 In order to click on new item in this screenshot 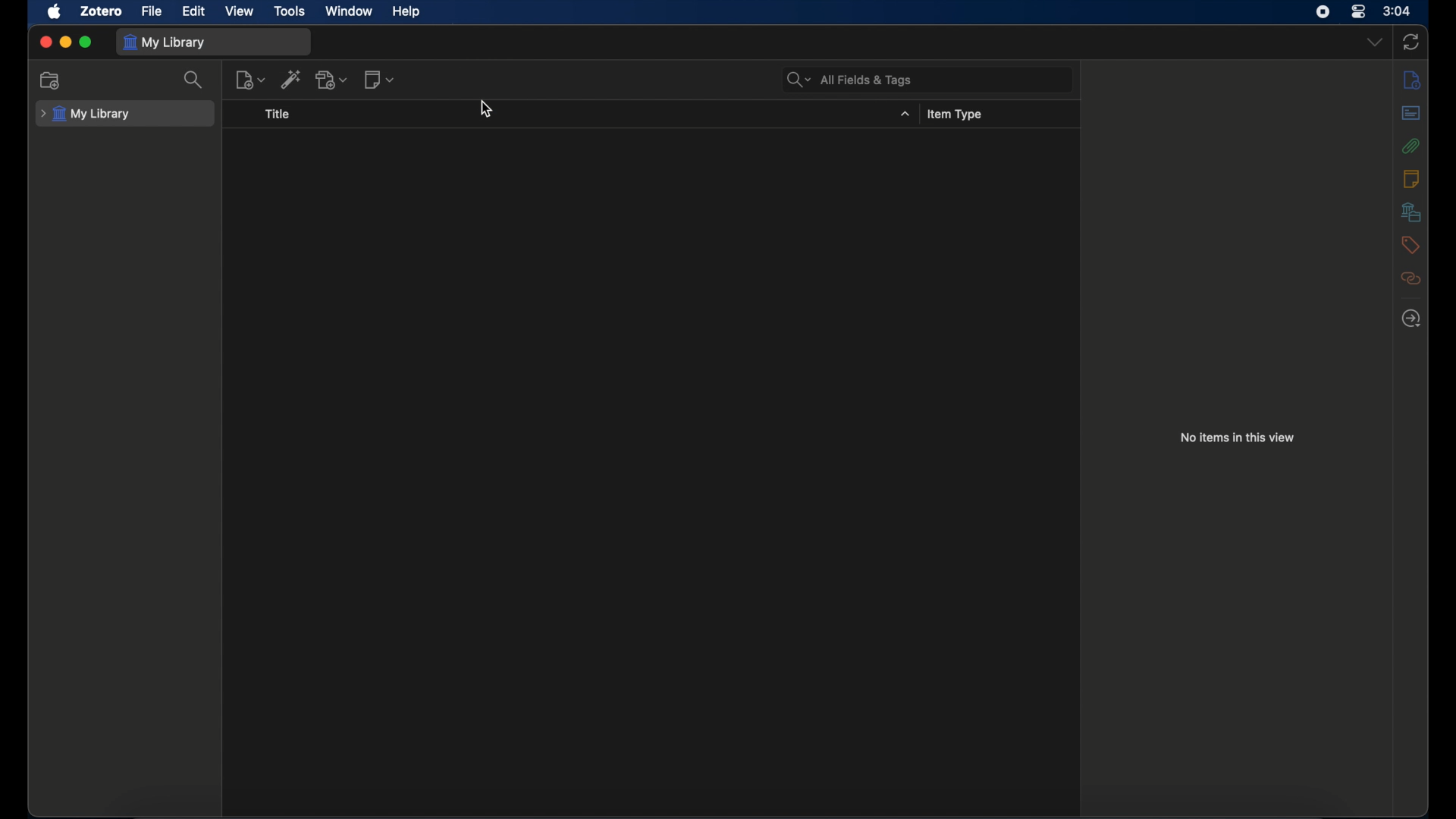, I will do `click(250, 80)`.